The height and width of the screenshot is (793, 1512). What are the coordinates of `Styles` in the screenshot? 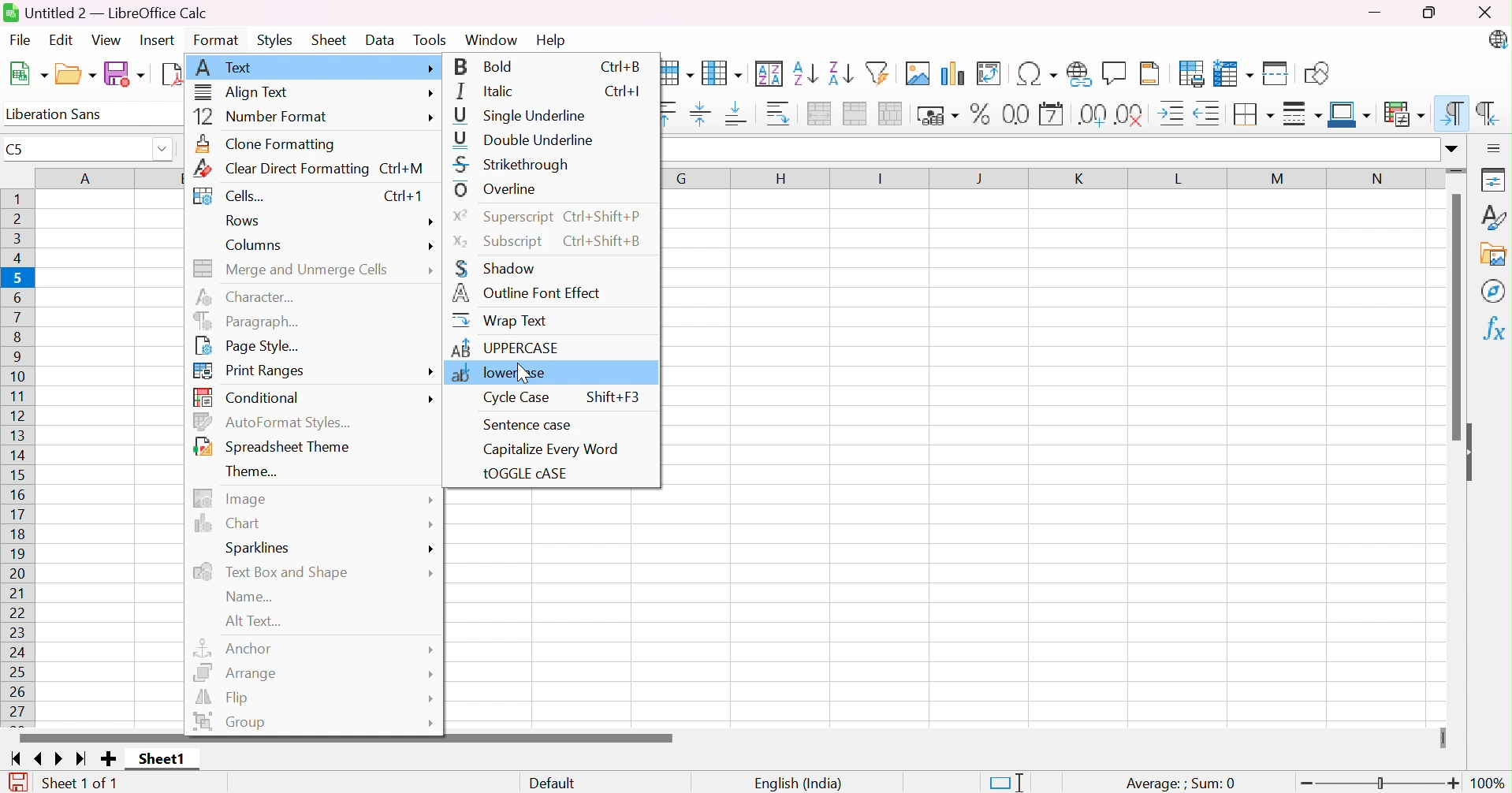 It's located at (1495, 217).